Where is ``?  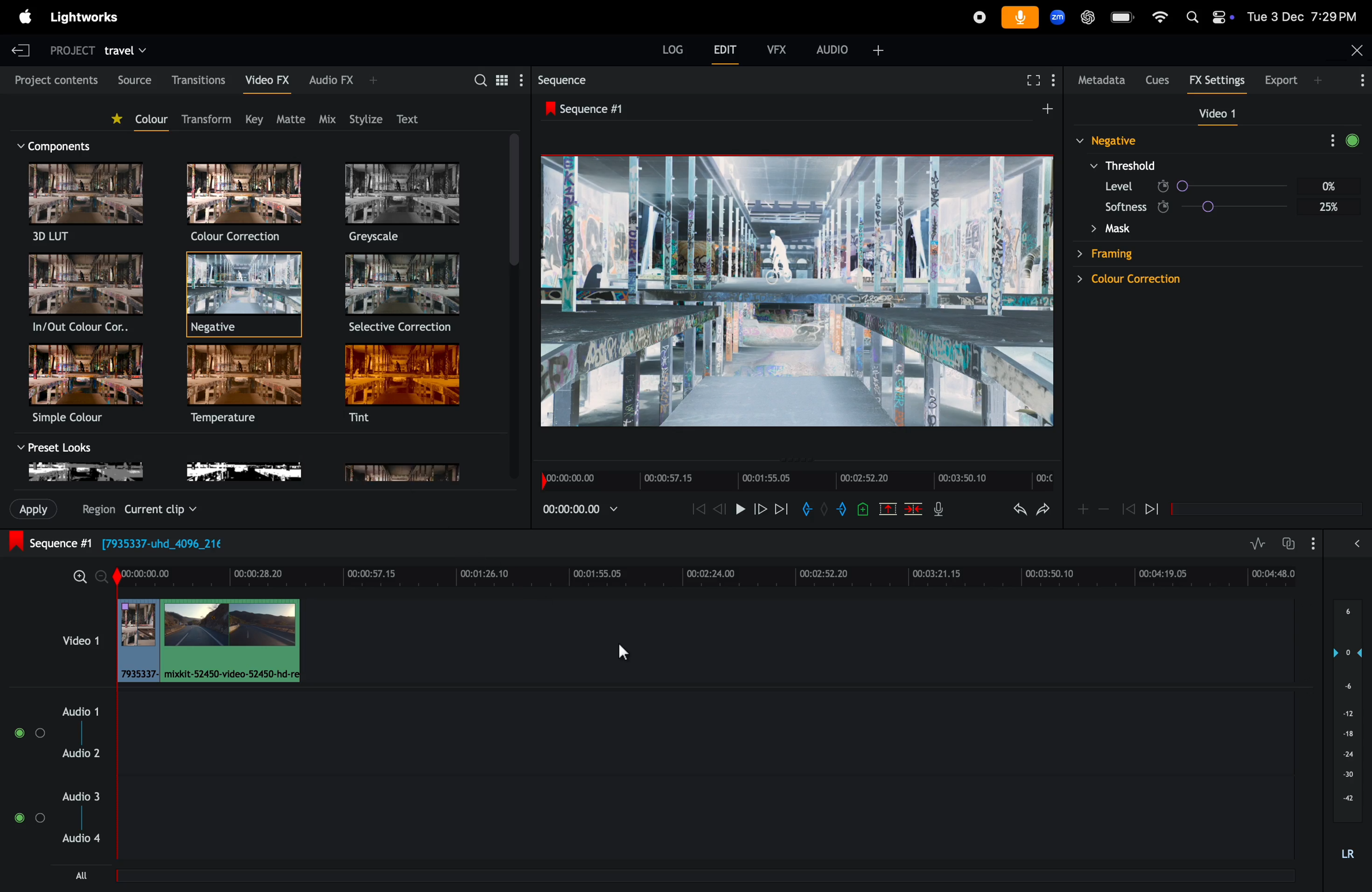
 is located at coordinates (1328, 207).